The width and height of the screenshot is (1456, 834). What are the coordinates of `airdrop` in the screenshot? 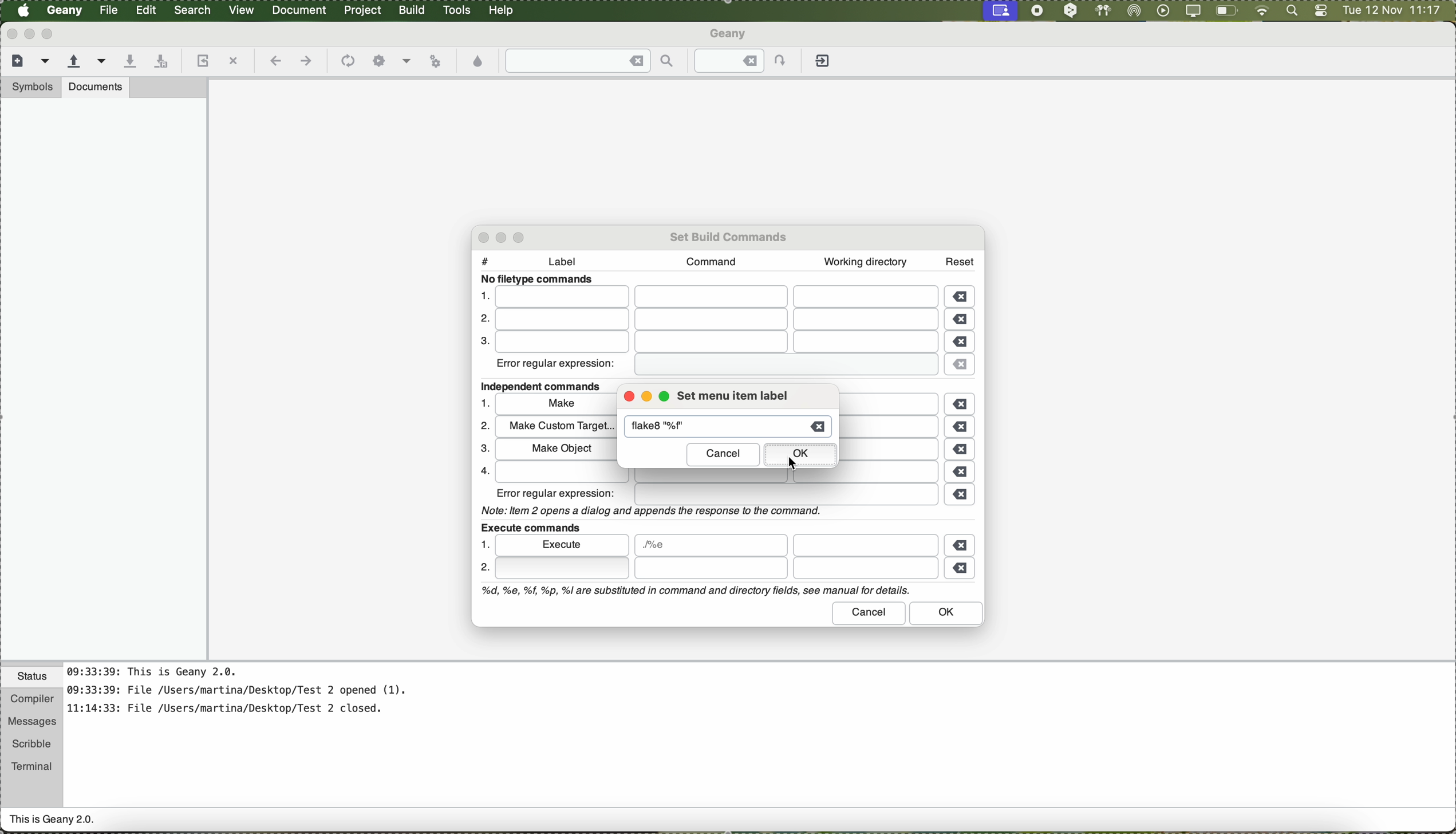 It's located at (1134, 11).